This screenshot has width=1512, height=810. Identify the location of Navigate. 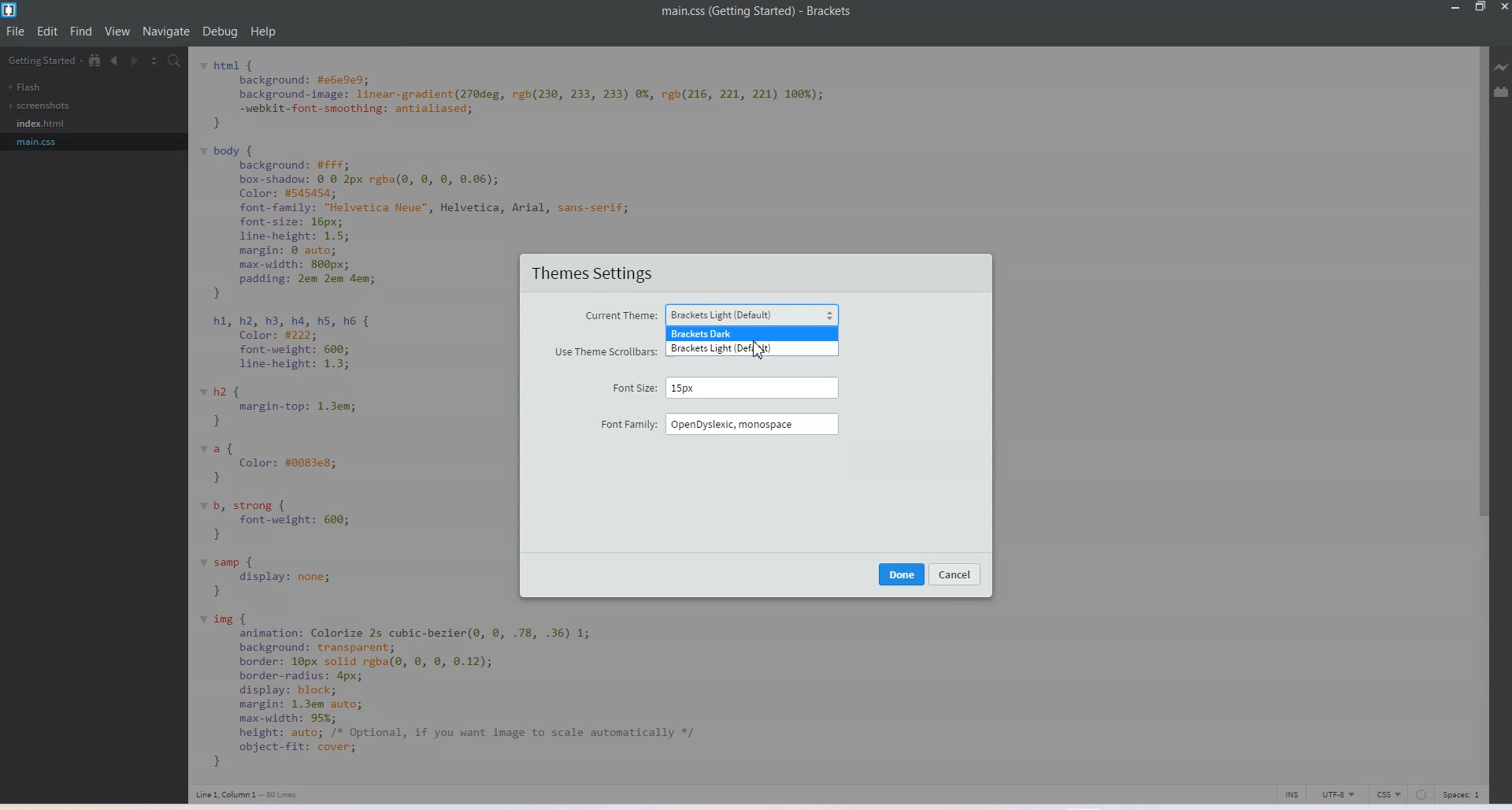
(166, 32).